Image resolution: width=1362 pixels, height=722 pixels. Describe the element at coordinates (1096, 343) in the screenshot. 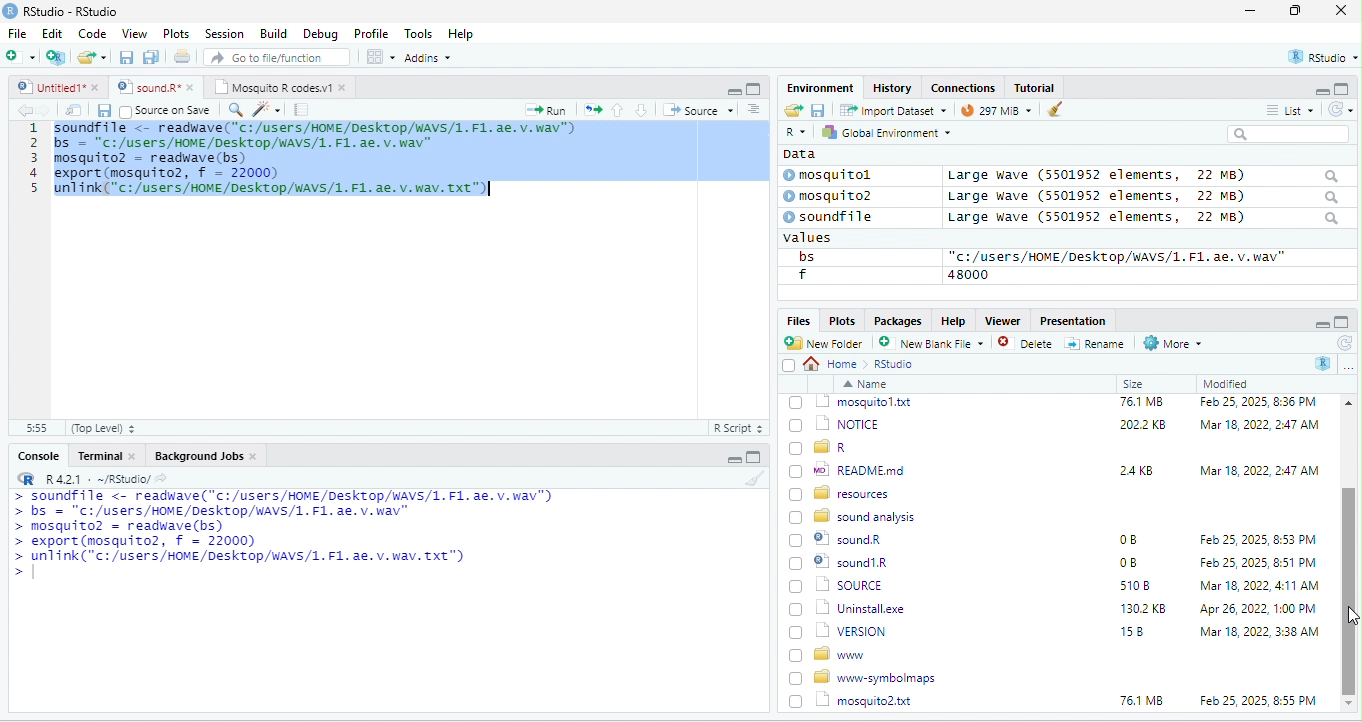

I see `=] Rename` at that location.